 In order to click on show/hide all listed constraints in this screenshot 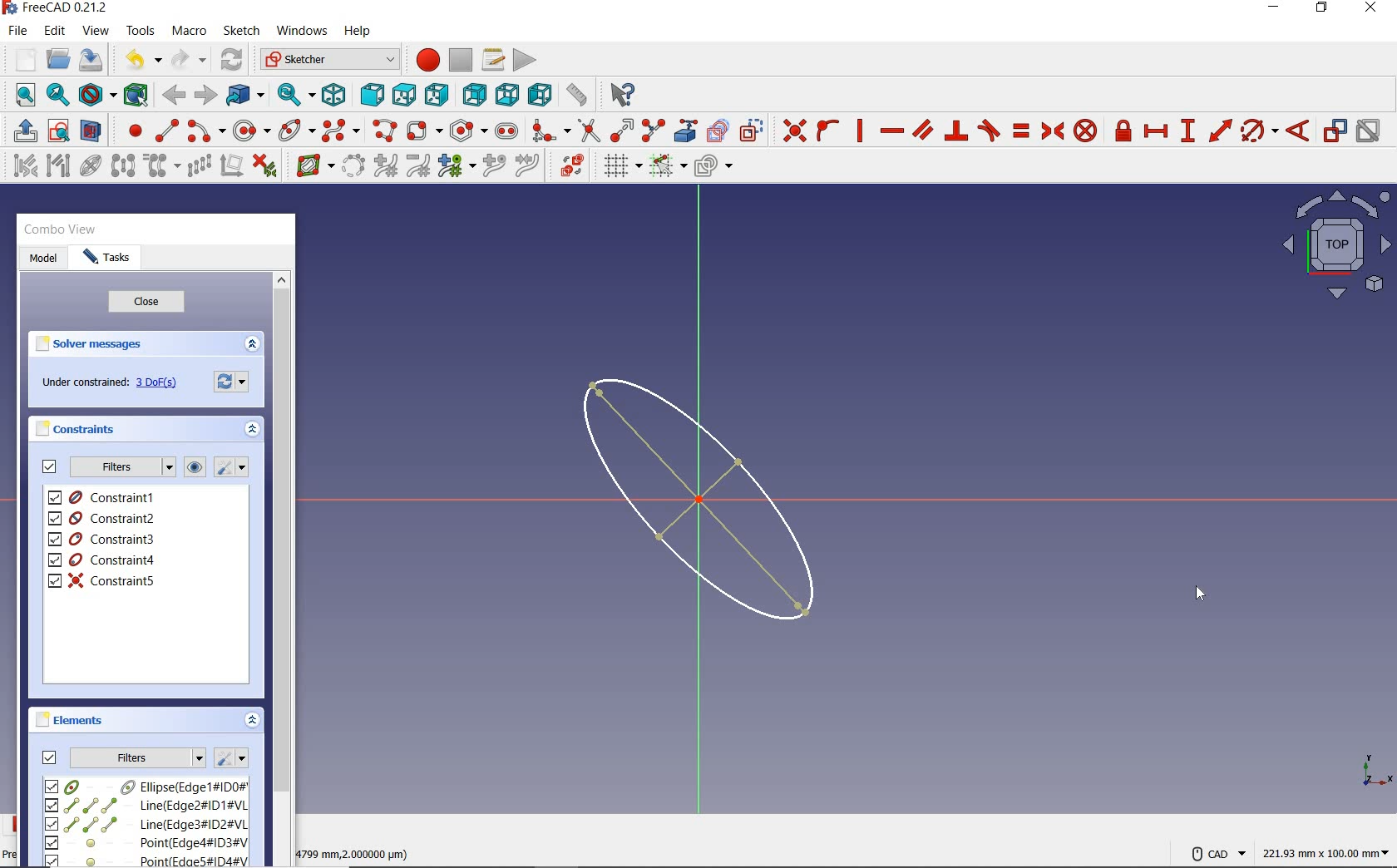, I will do `click(192, 468)`.